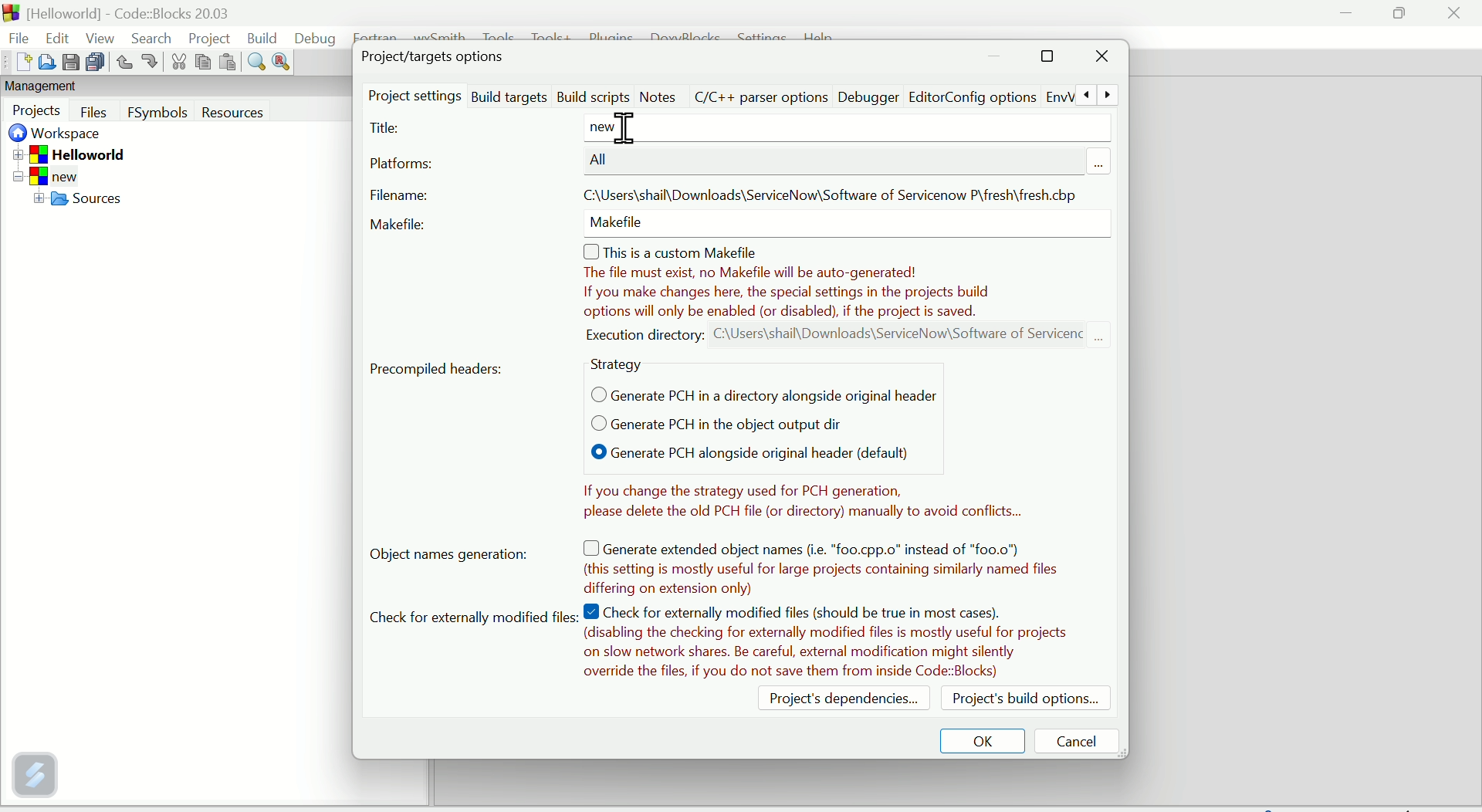 The width and height of the screenshot is (1482, 812). Describe the element at coordinates (1024, 698) in the screenshot. I see `Project build options` at that location.